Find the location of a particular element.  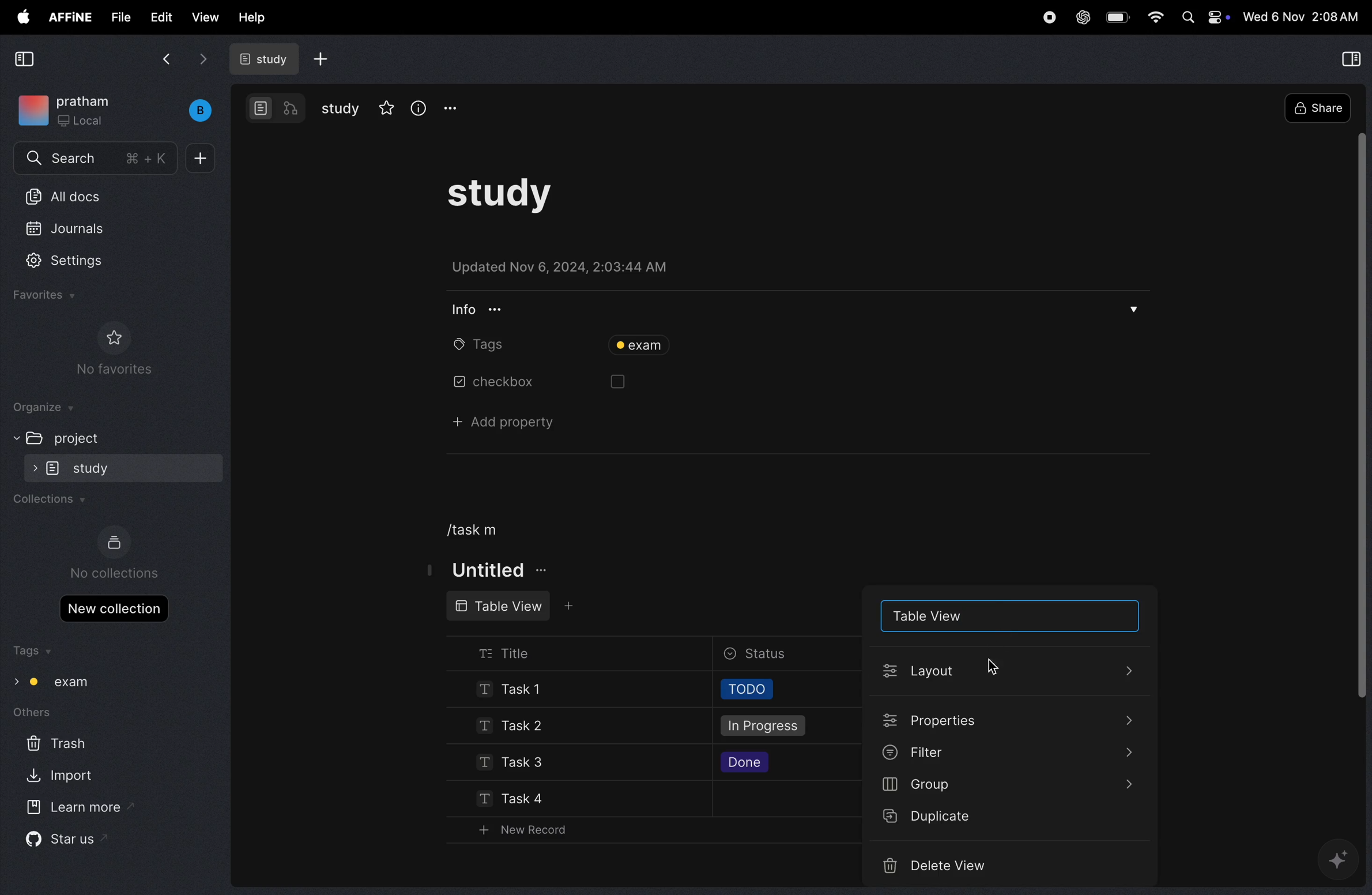

done is located at coordinates (747, 764).